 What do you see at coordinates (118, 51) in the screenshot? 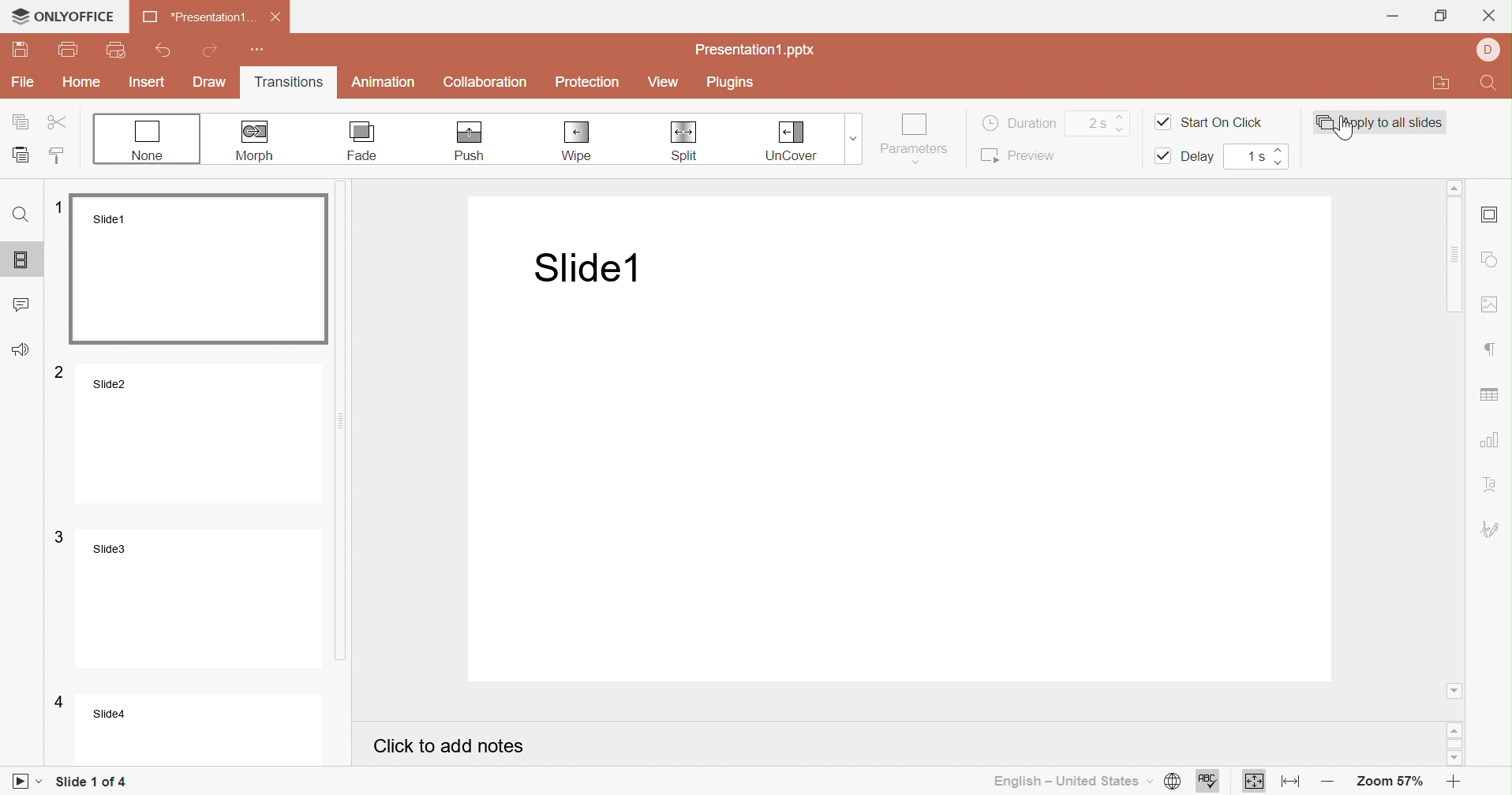
I see `Quick print` at bounding box center [118, 51].